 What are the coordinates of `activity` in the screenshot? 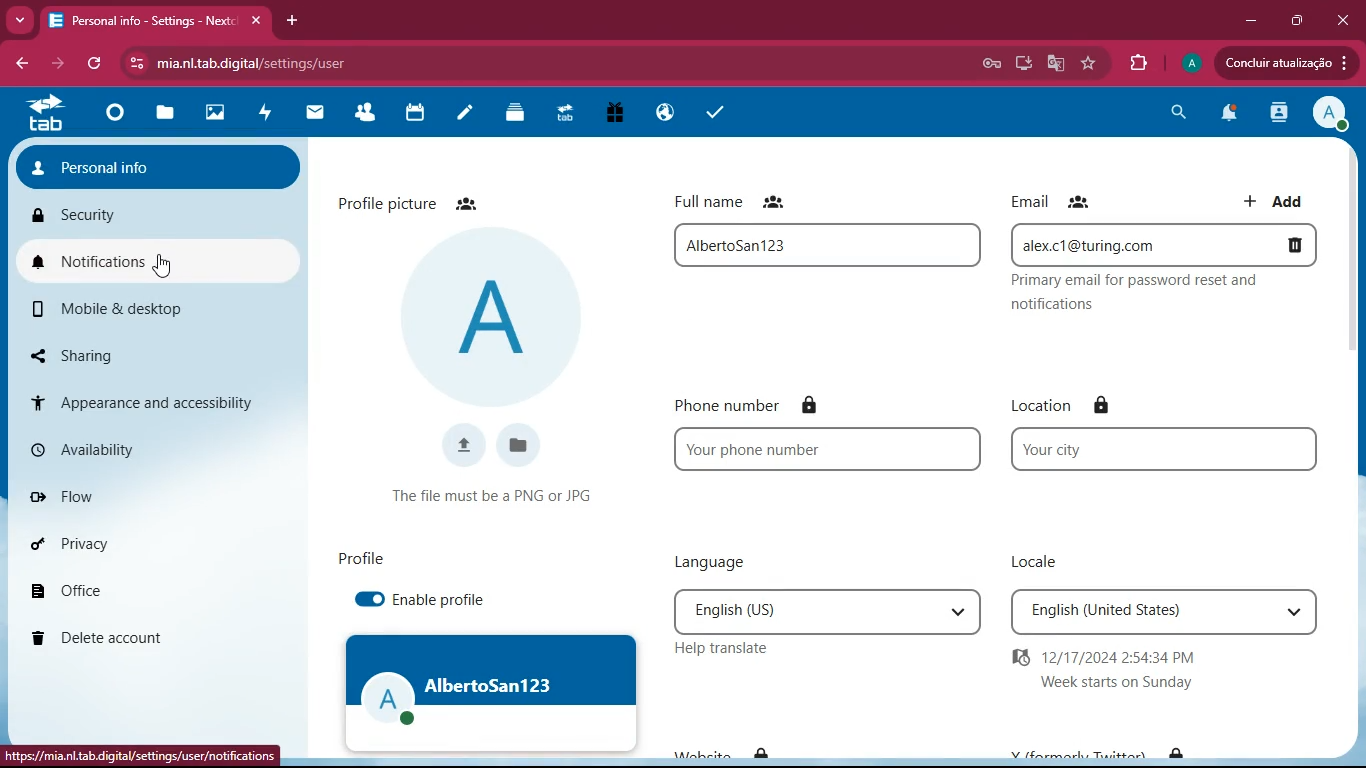 It's located at (1276, 113).